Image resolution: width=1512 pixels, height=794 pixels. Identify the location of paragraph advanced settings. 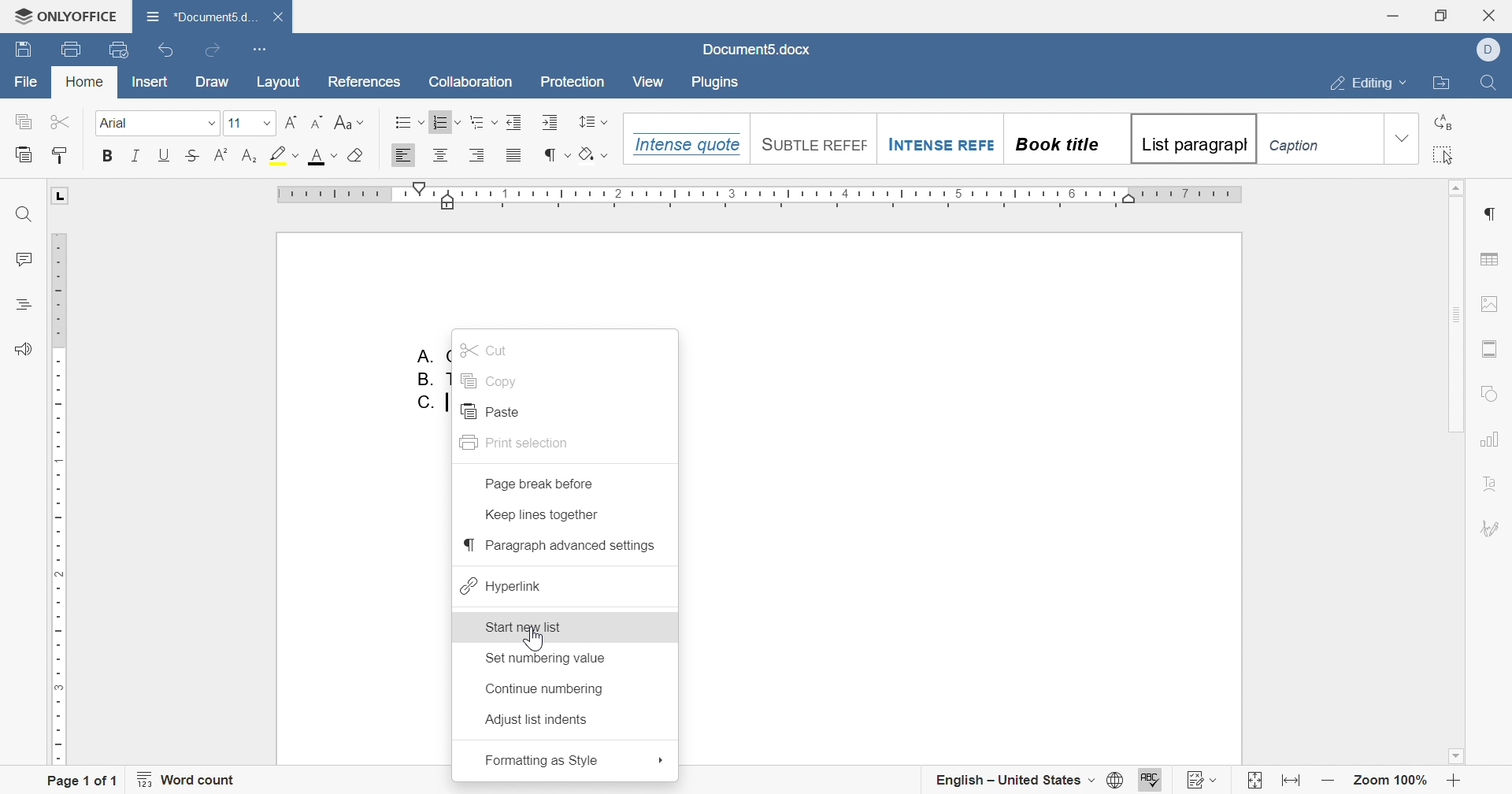
(561, 544).